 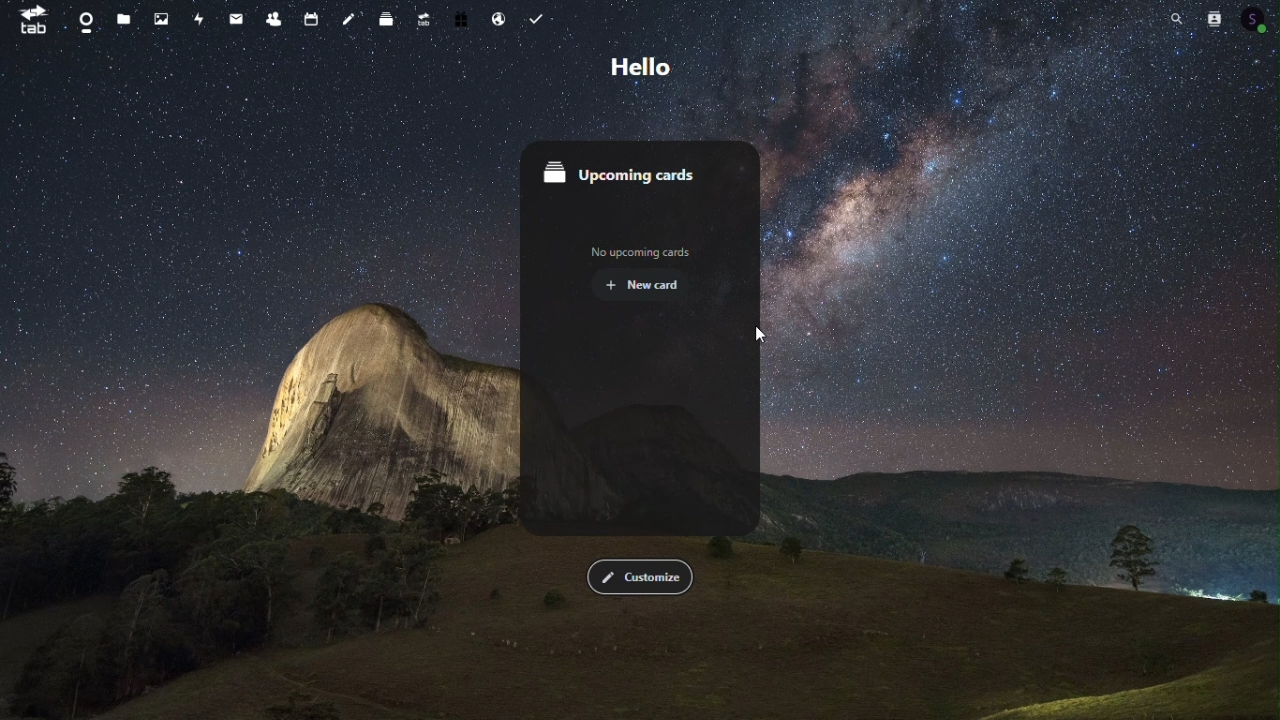 I want to click on Free trial, so click(x=462, y=16).